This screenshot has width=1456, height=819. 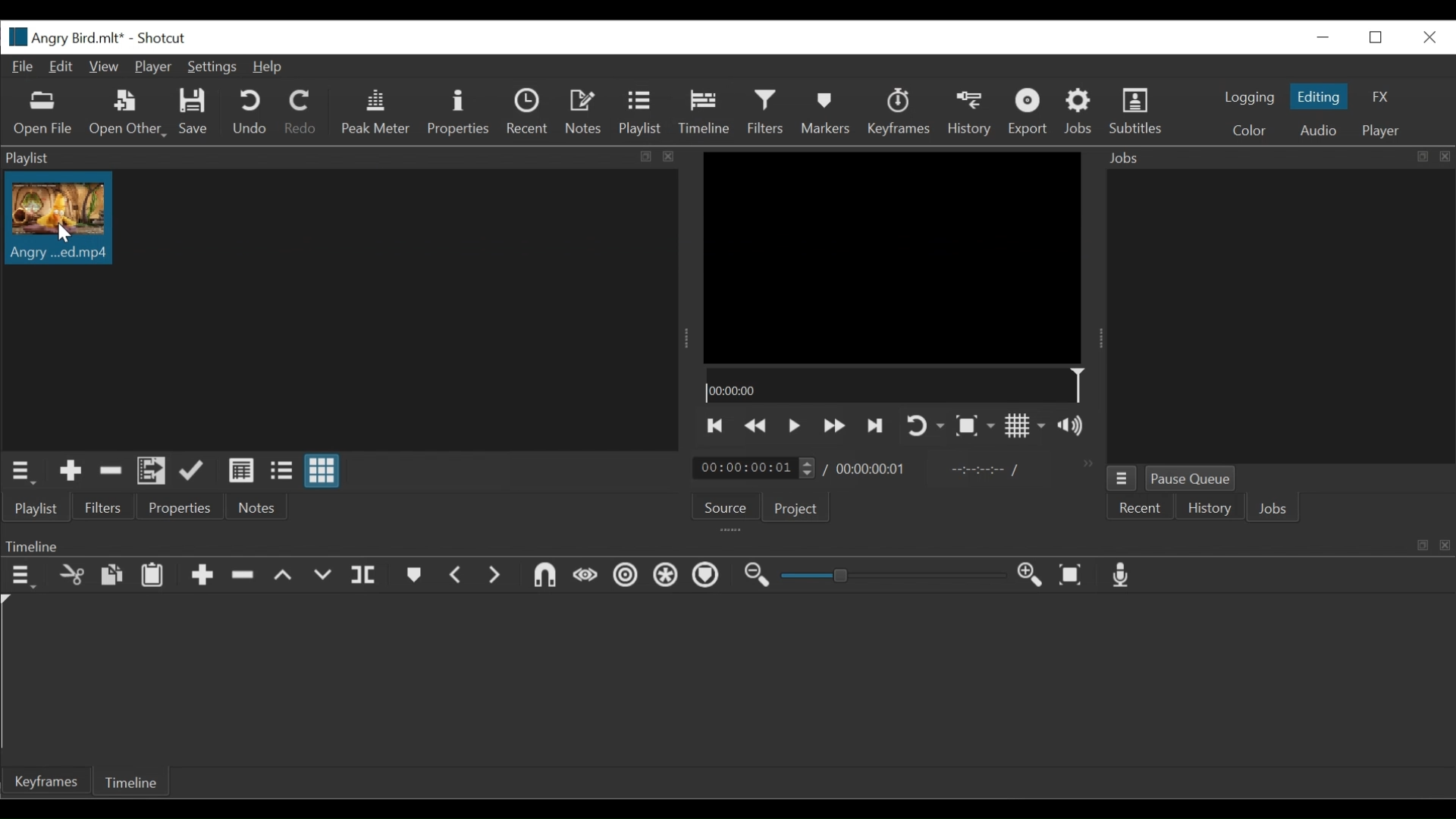 I want to click on Recent, so click(x=527, y=113).